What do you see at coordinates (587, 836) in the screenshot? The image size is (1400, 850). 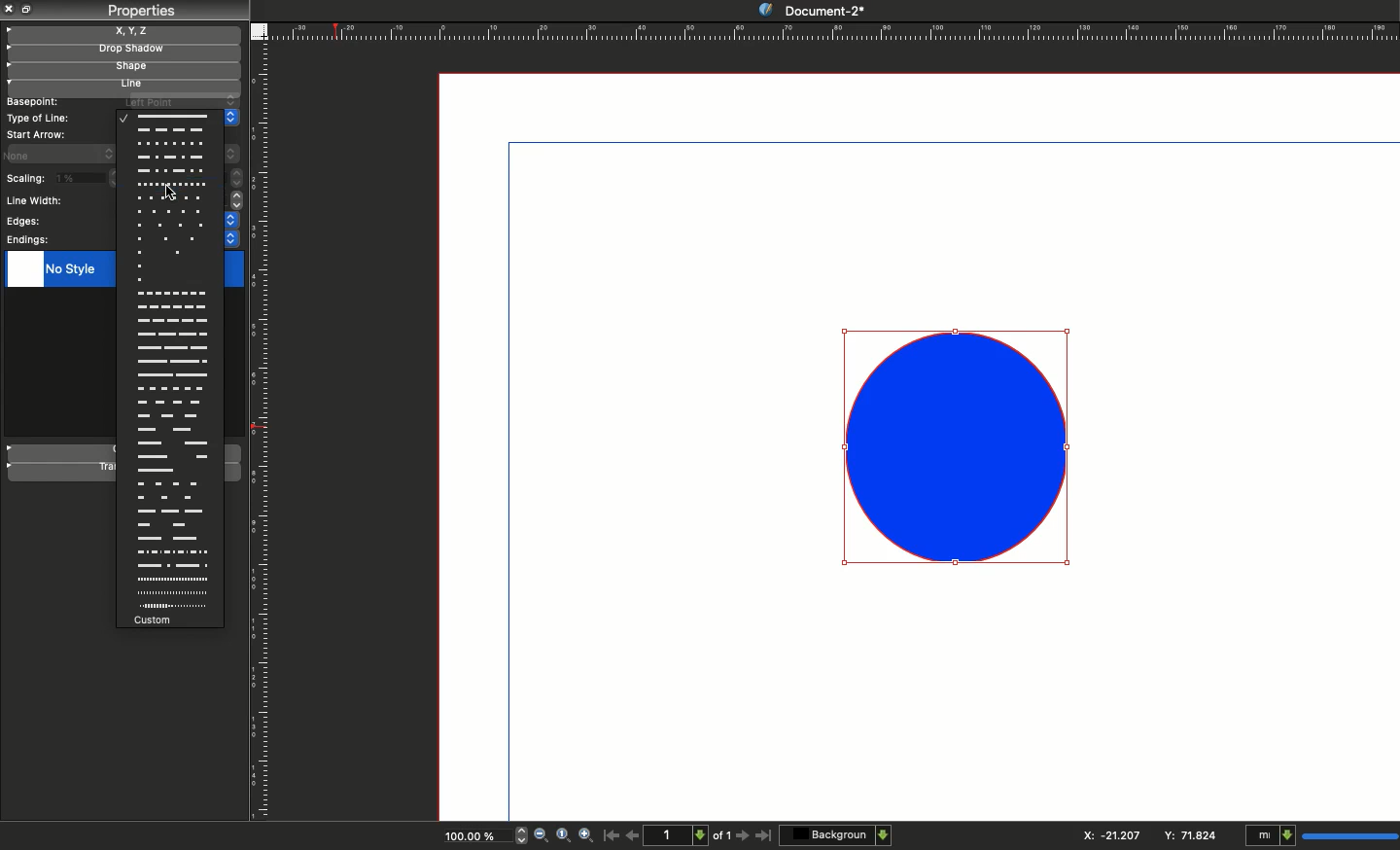 I see `Zoom in` at bounding box center [587, 836].